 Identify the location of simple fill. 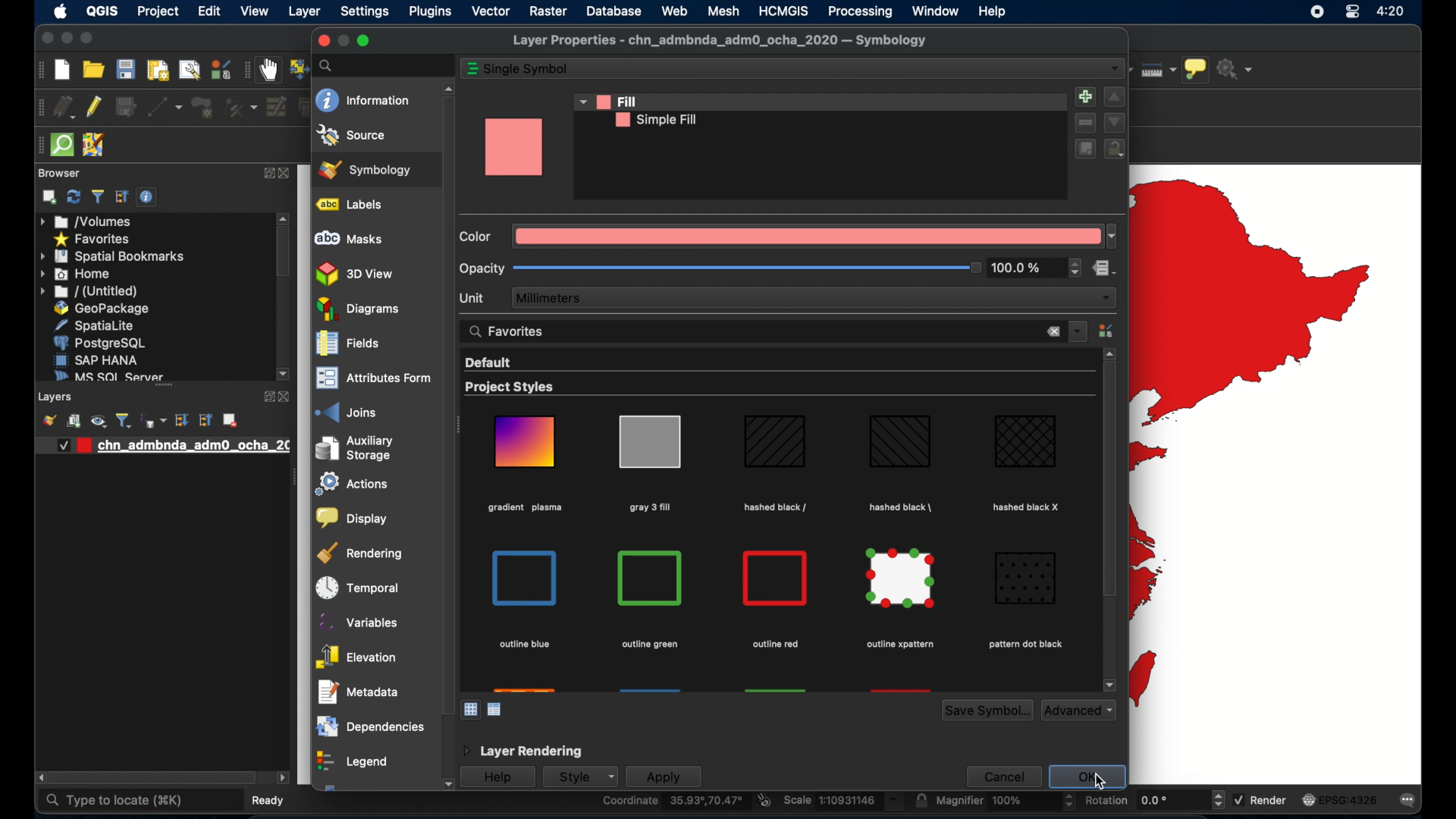
(655, 121).